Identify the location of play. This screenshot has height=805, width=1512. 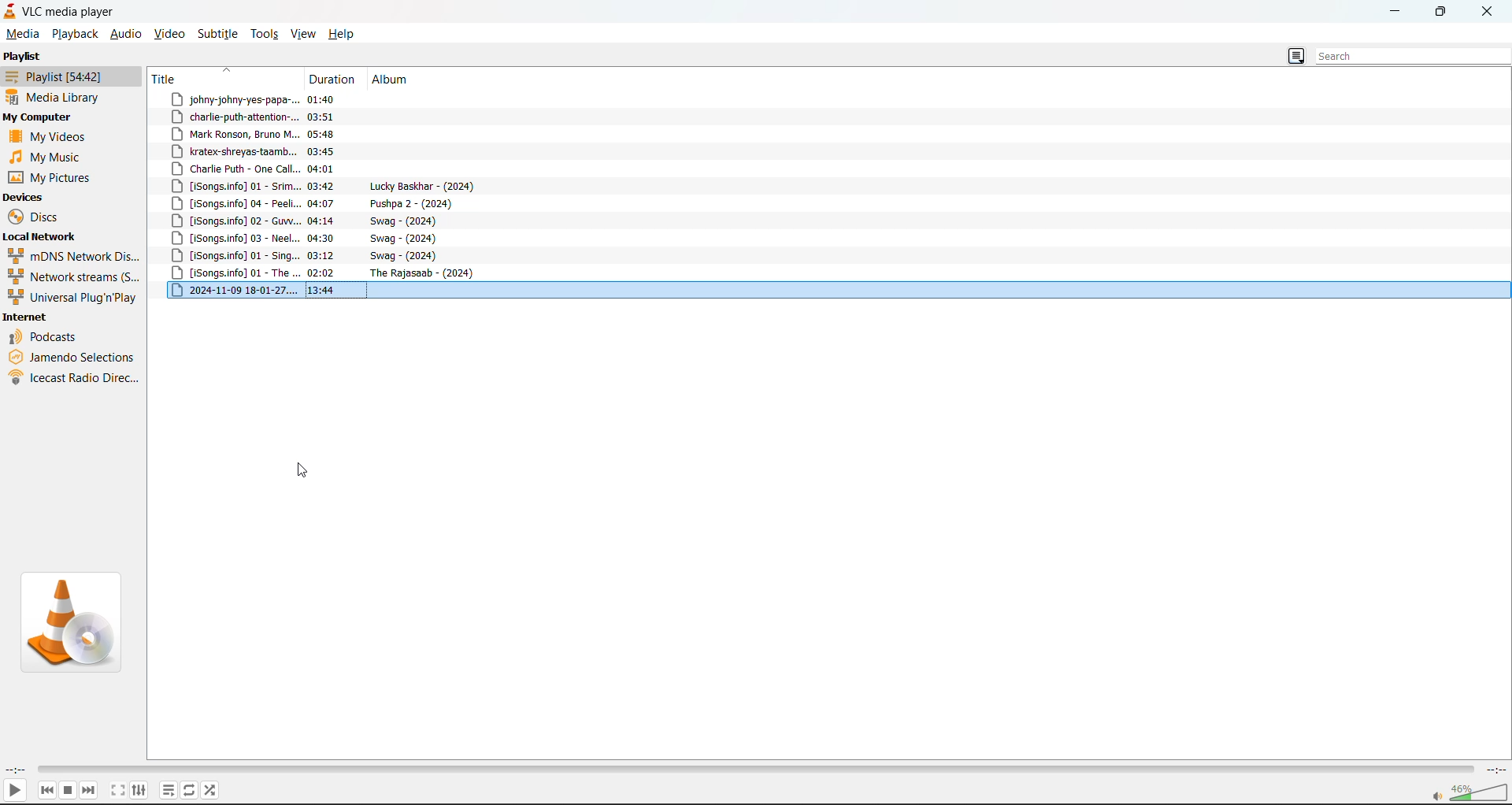
(17, 789).